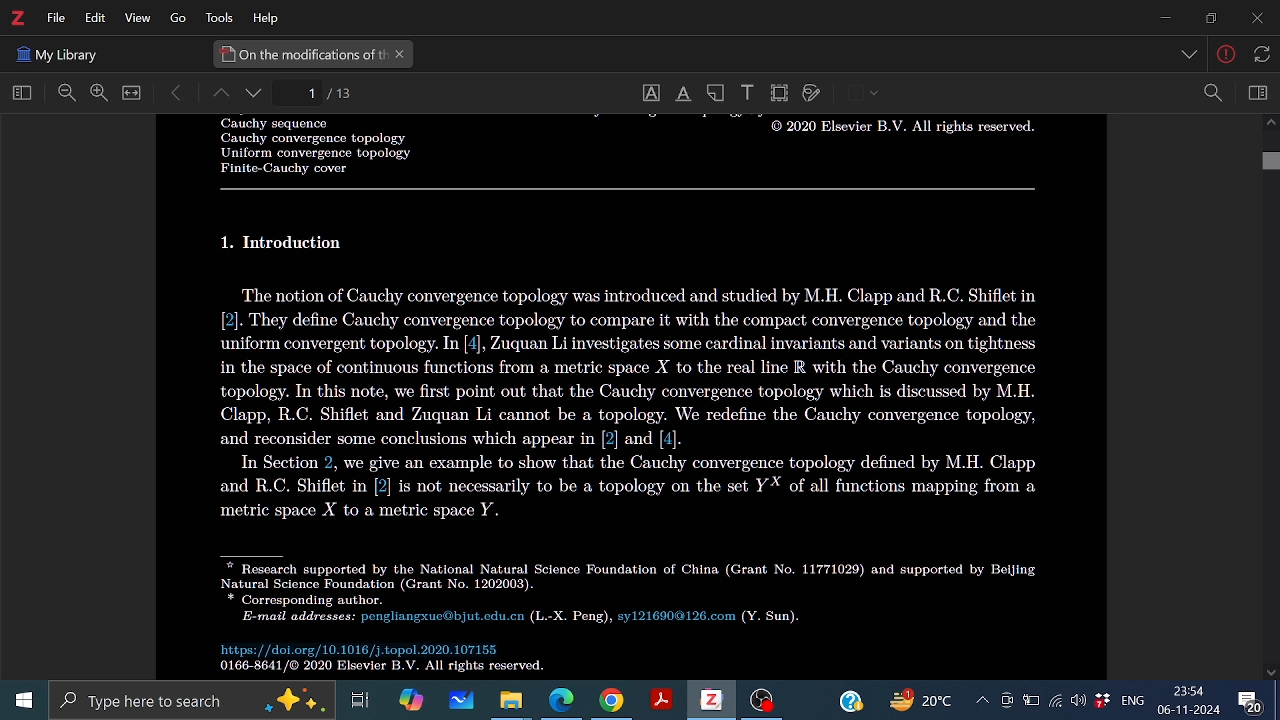  I want to click on , so click(172, 19).